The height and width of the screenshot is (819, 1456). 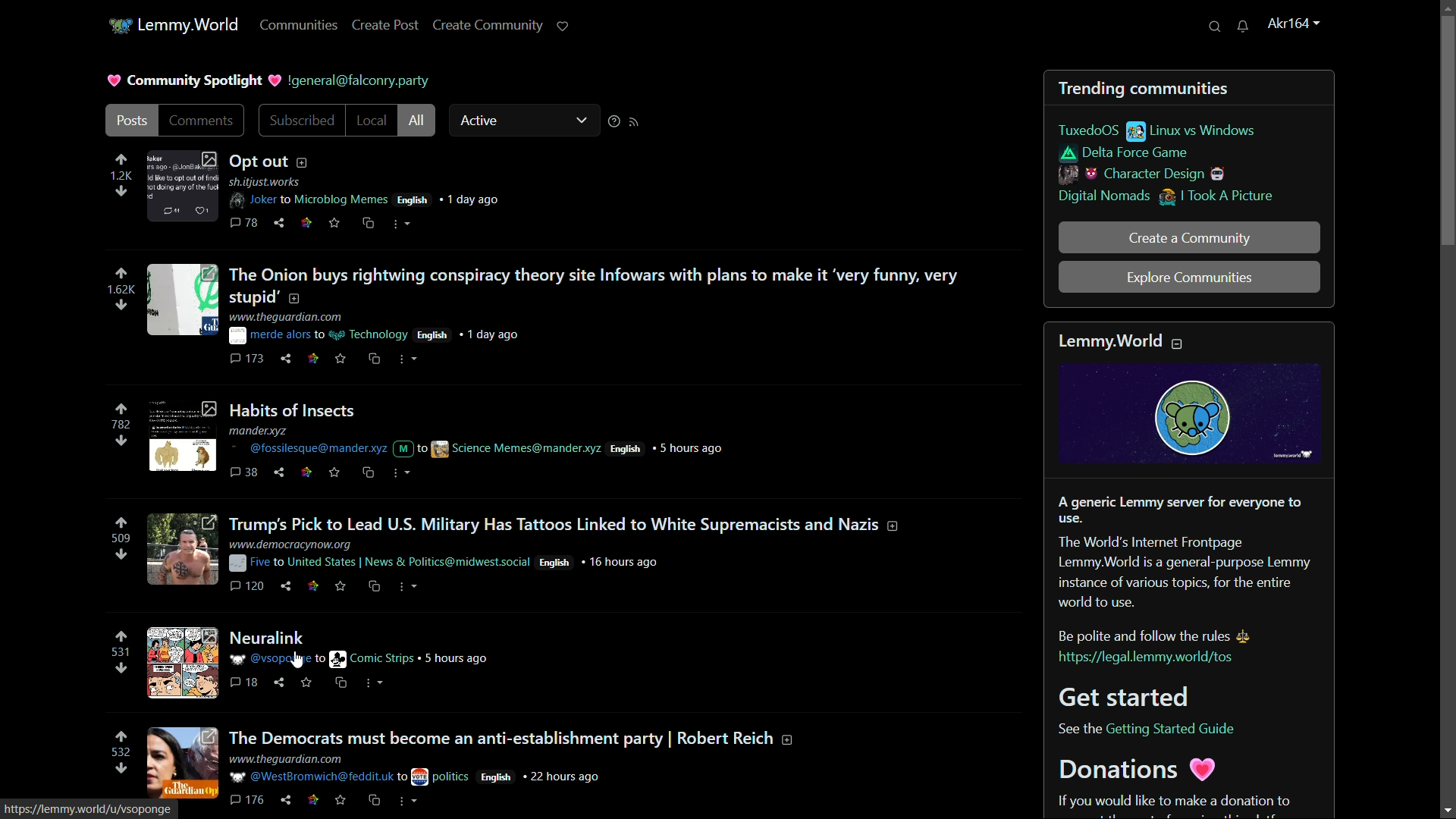 I want to click on number of votes, so click(x=117, y=291).